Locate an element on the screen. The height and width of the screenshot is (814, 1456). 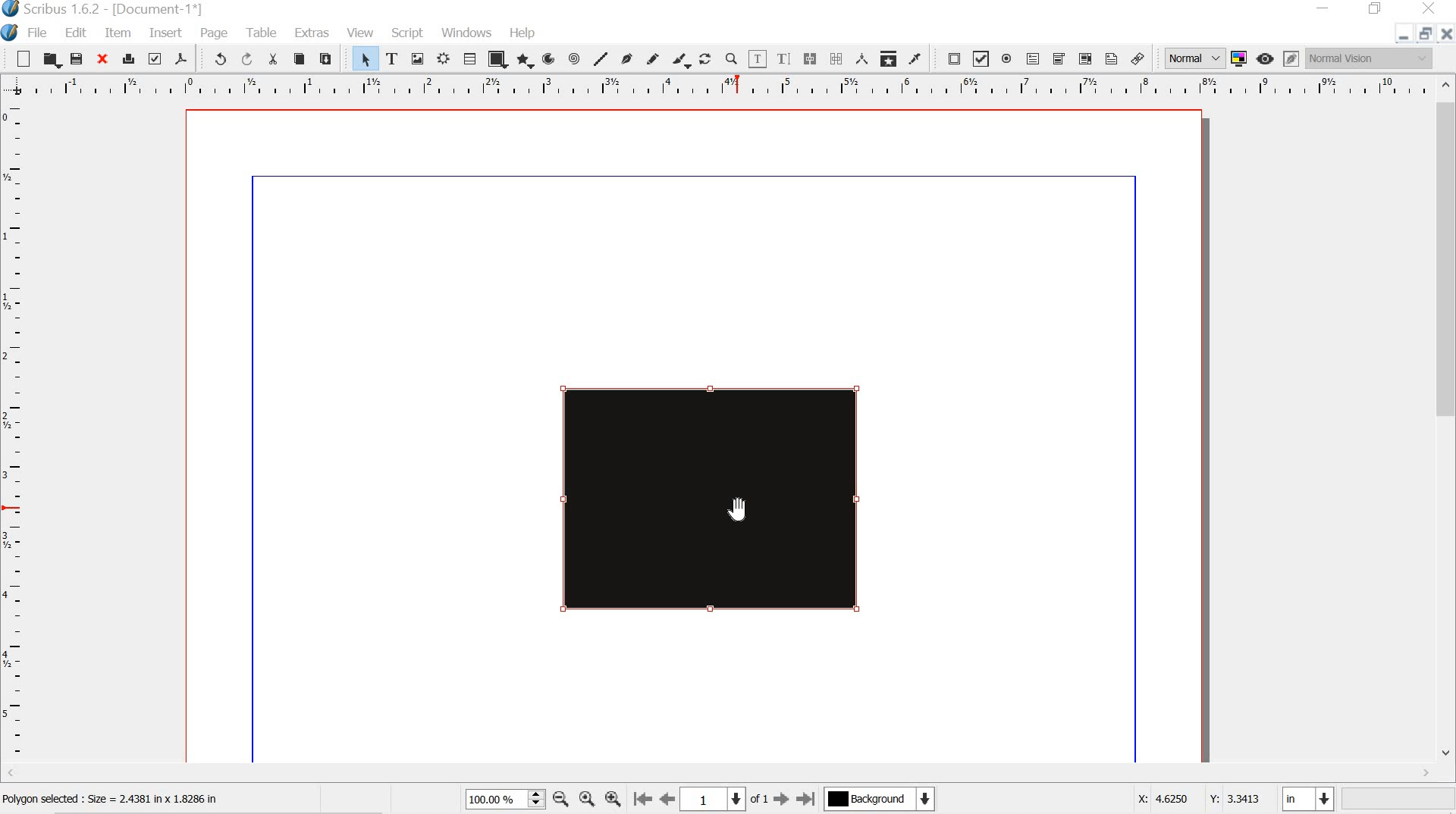
toggle color management system is located at coordinates (1241, 58).